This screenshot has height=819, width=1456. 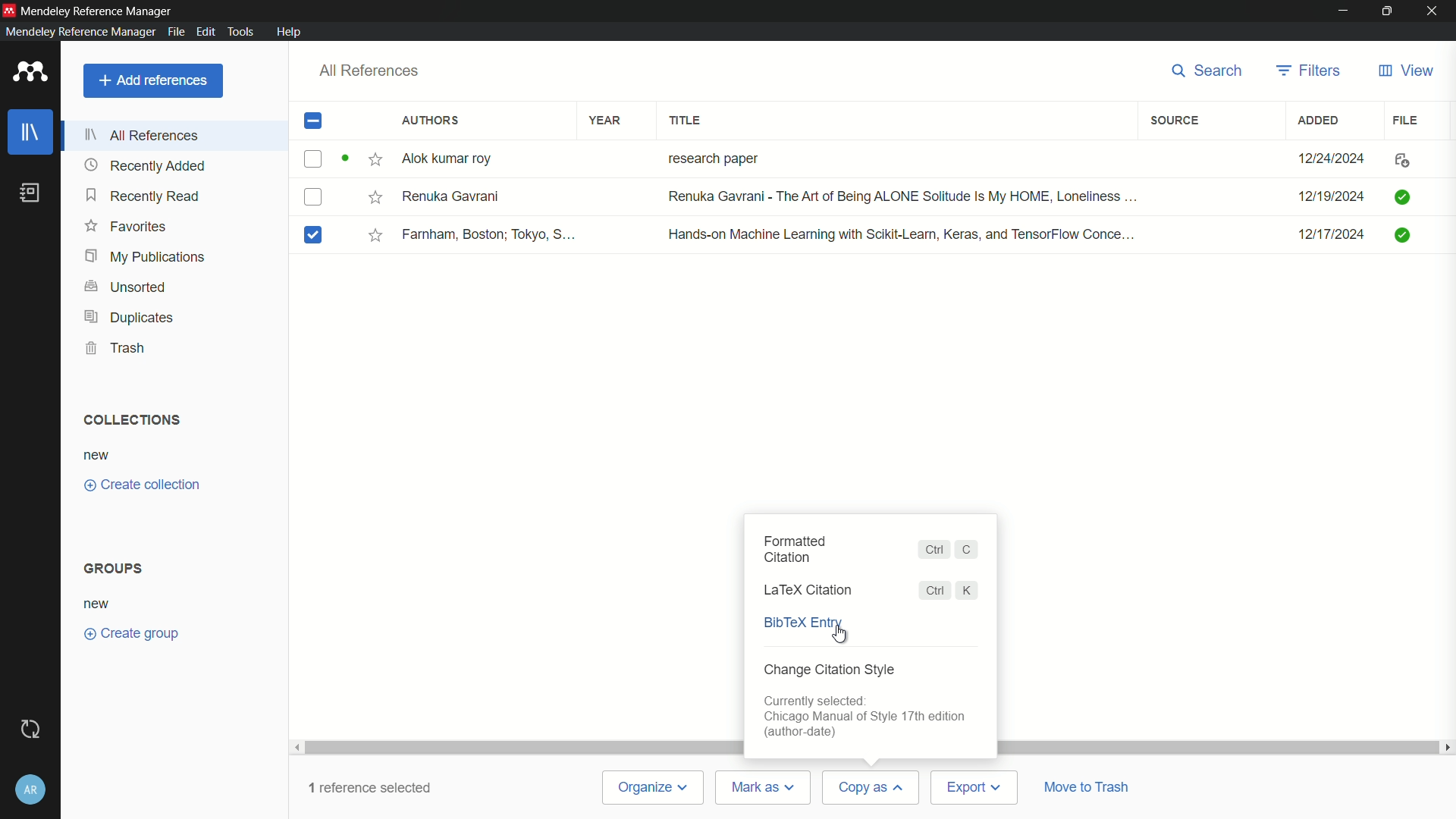 I want to click on tools menu, so click(x=244, y=31).